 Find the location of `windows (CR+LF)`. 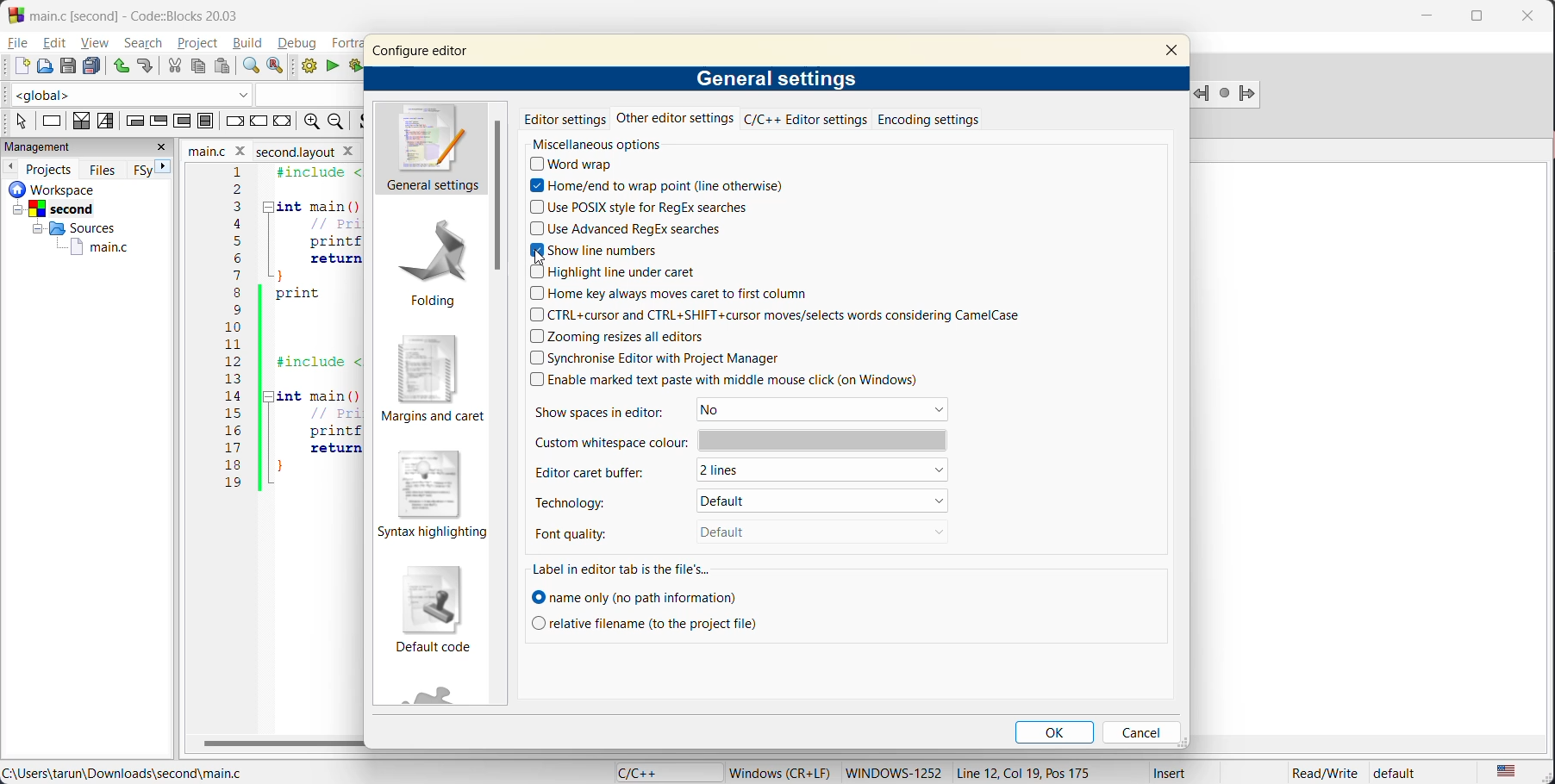

windows (CR+LF) is located at coordinates (781, 772).